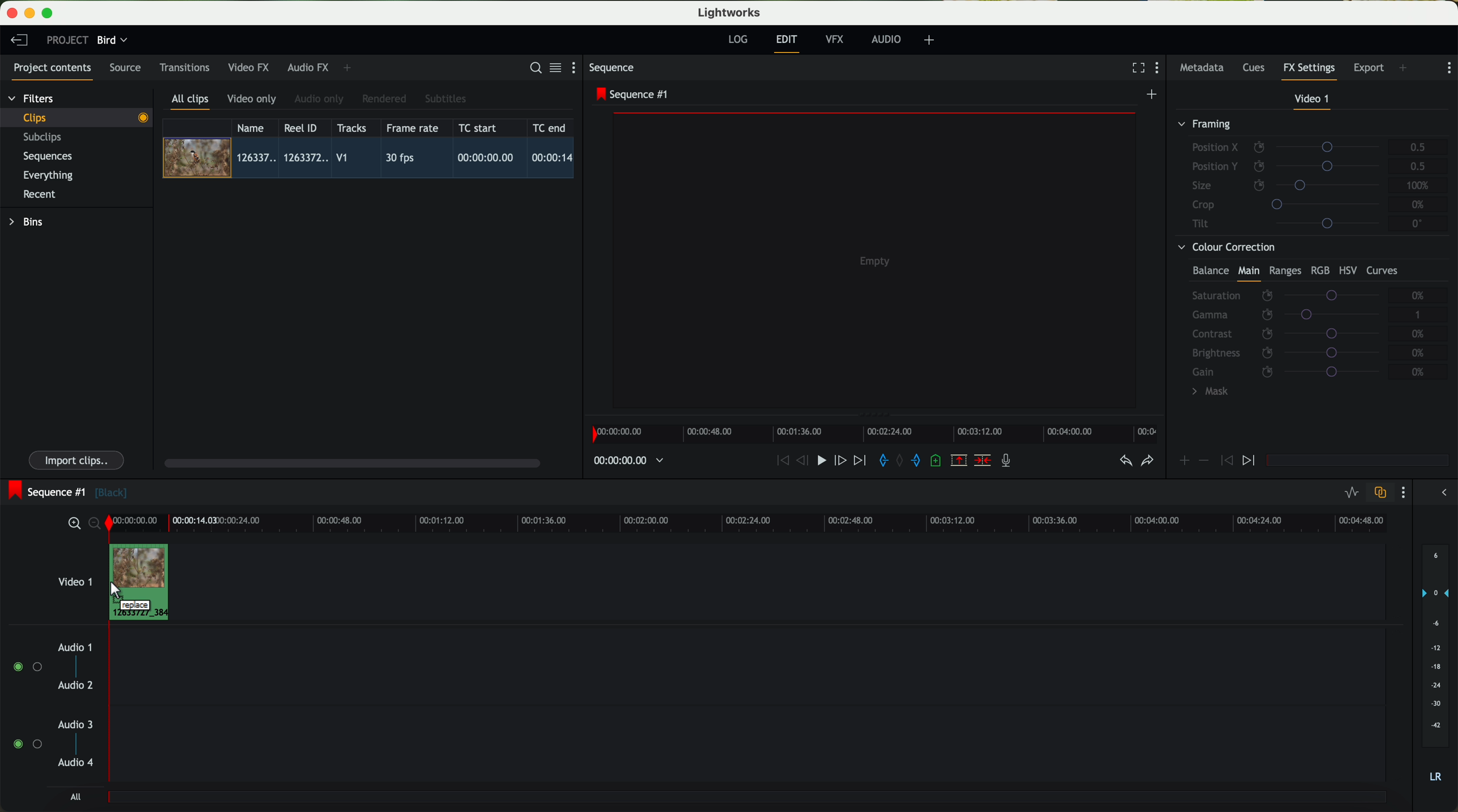 The image size is (1458, 812). I want to click on zoom out, so click(96, 525).